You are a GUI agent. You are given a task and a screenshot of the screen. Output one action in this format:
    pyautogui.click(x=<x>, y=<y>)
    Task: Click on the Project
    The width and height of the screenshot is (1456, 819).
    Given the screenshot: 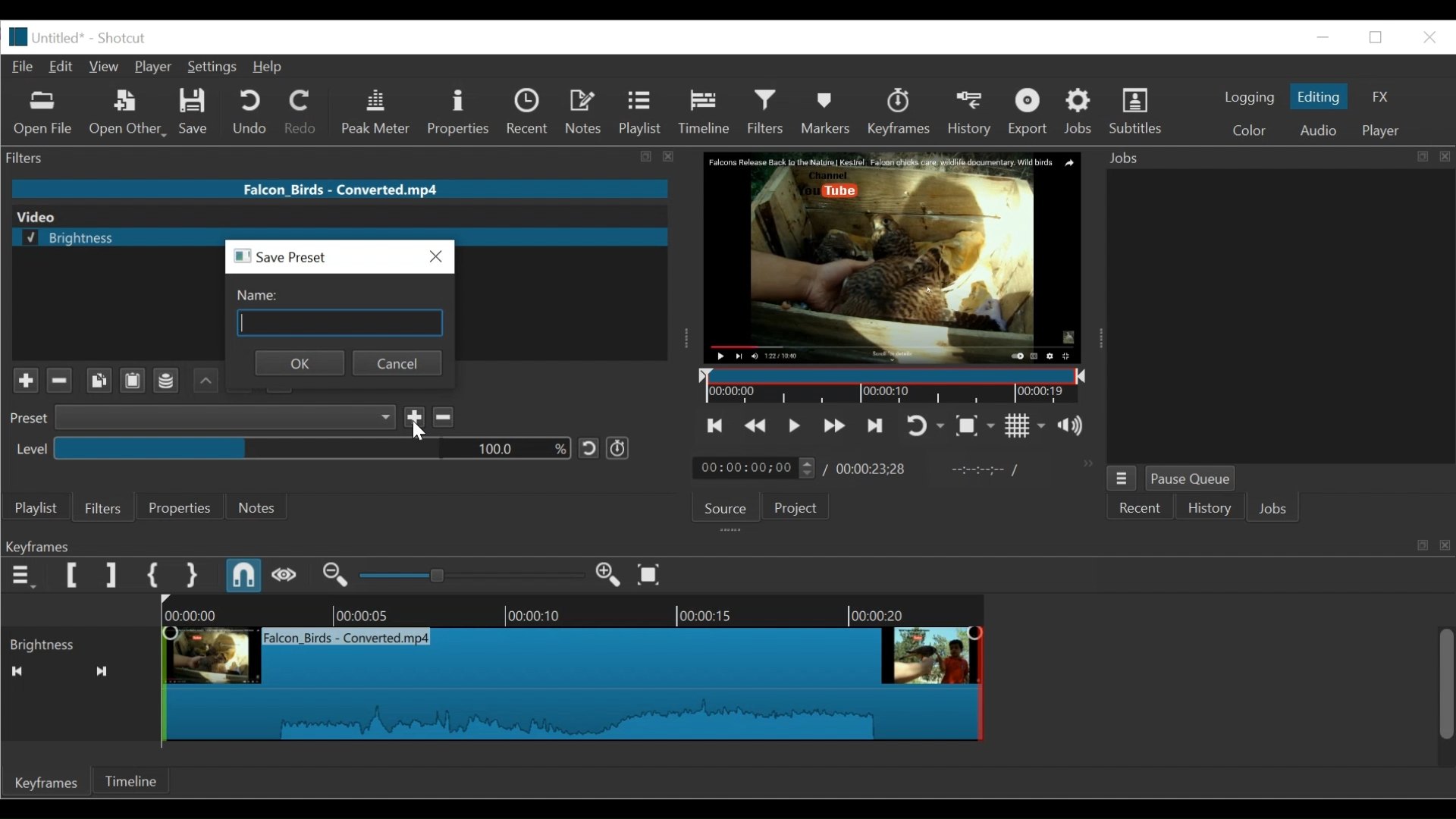 What is the action you would take?
    pyautogui.click(x=795, y=507)
    